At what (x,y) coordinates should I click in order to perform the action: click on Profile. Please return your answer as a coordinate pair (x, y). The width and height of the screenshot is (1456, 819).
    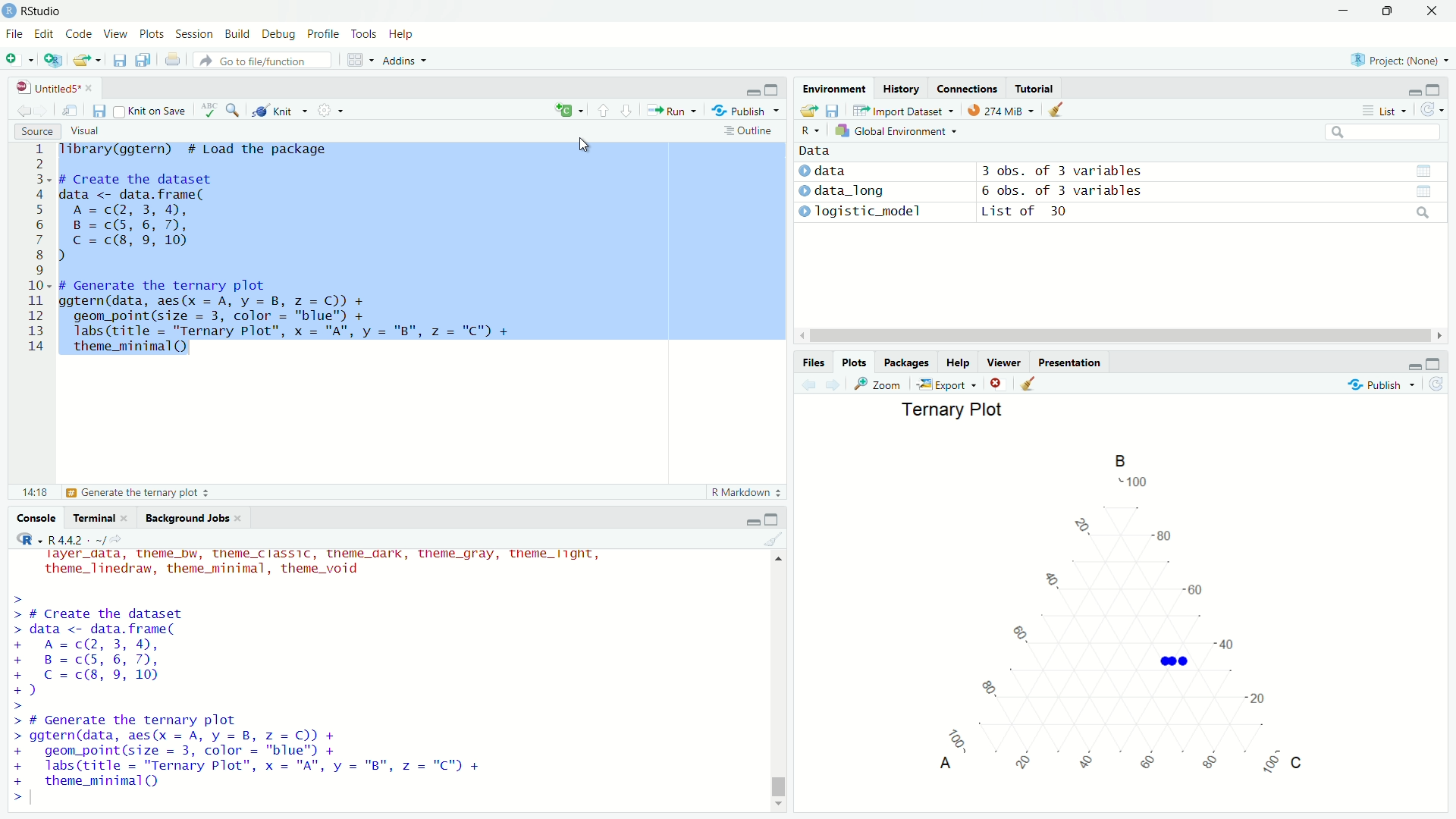
    Looking at the image, I should click on (321, 34).